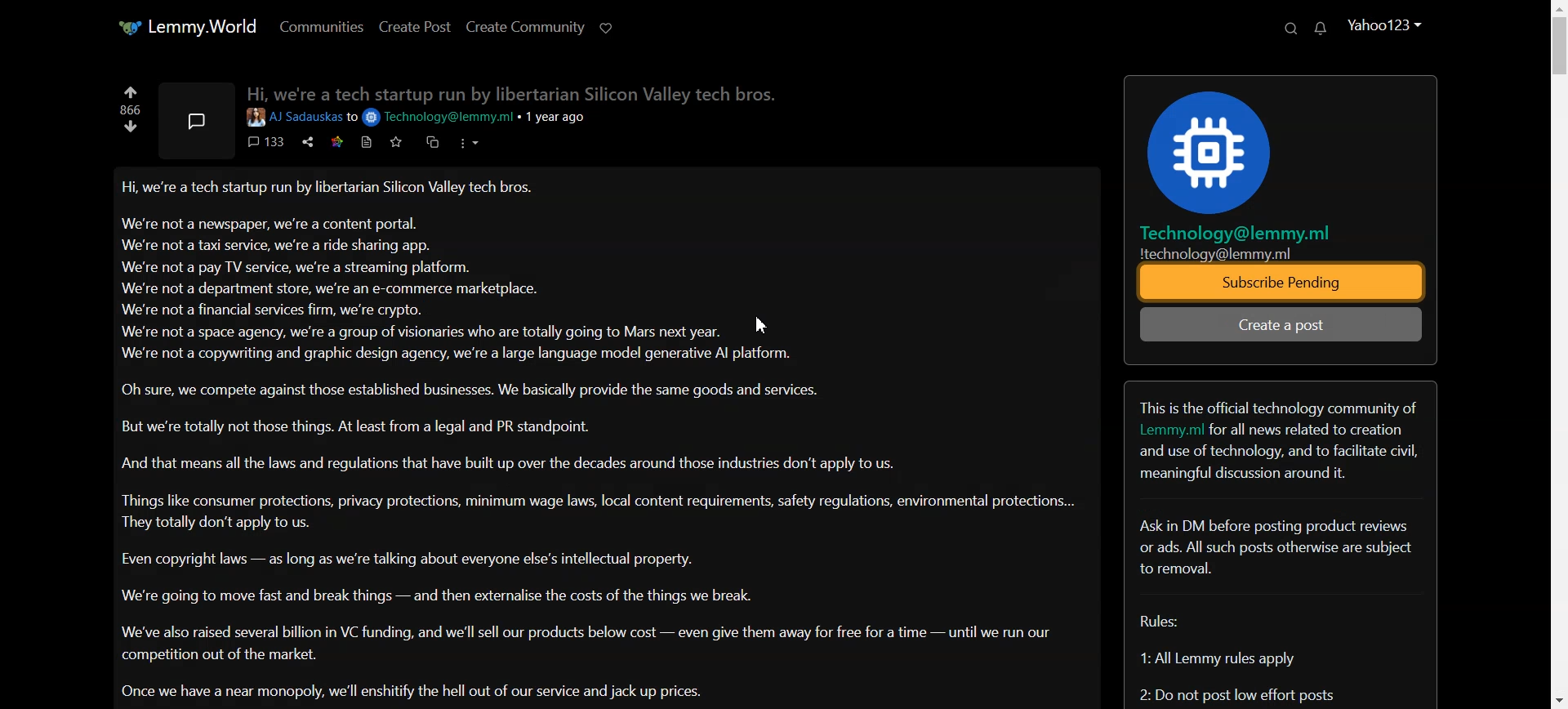  Describe the element at coordinates (1278, 283) in the screenshot. I see `Subscribe Pending` at that location.